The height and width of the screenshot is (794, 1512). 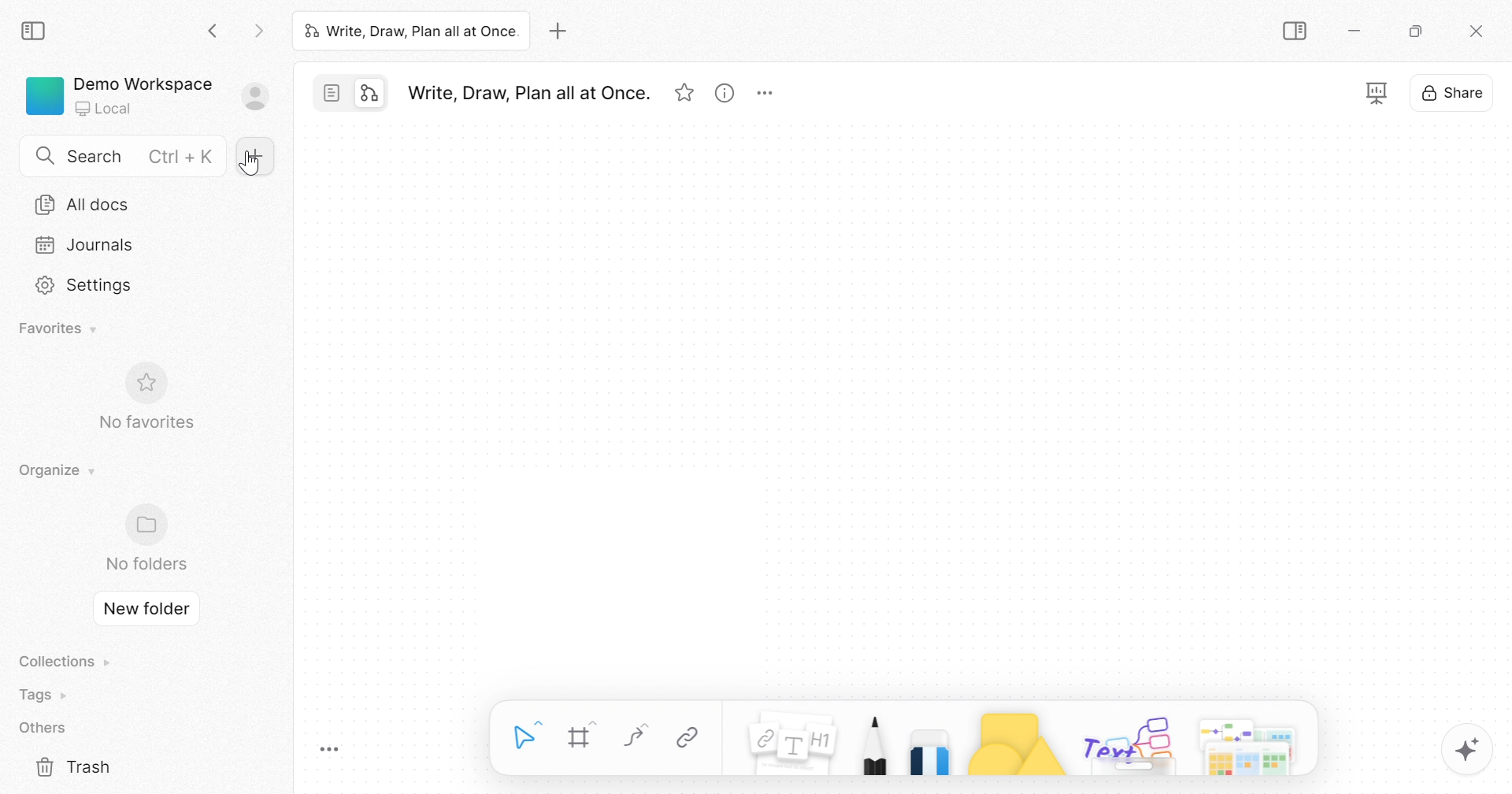 What do you see at coordinates (145, 608) in the screenshot?
I see `New folder` at bounding box center [145, 608].